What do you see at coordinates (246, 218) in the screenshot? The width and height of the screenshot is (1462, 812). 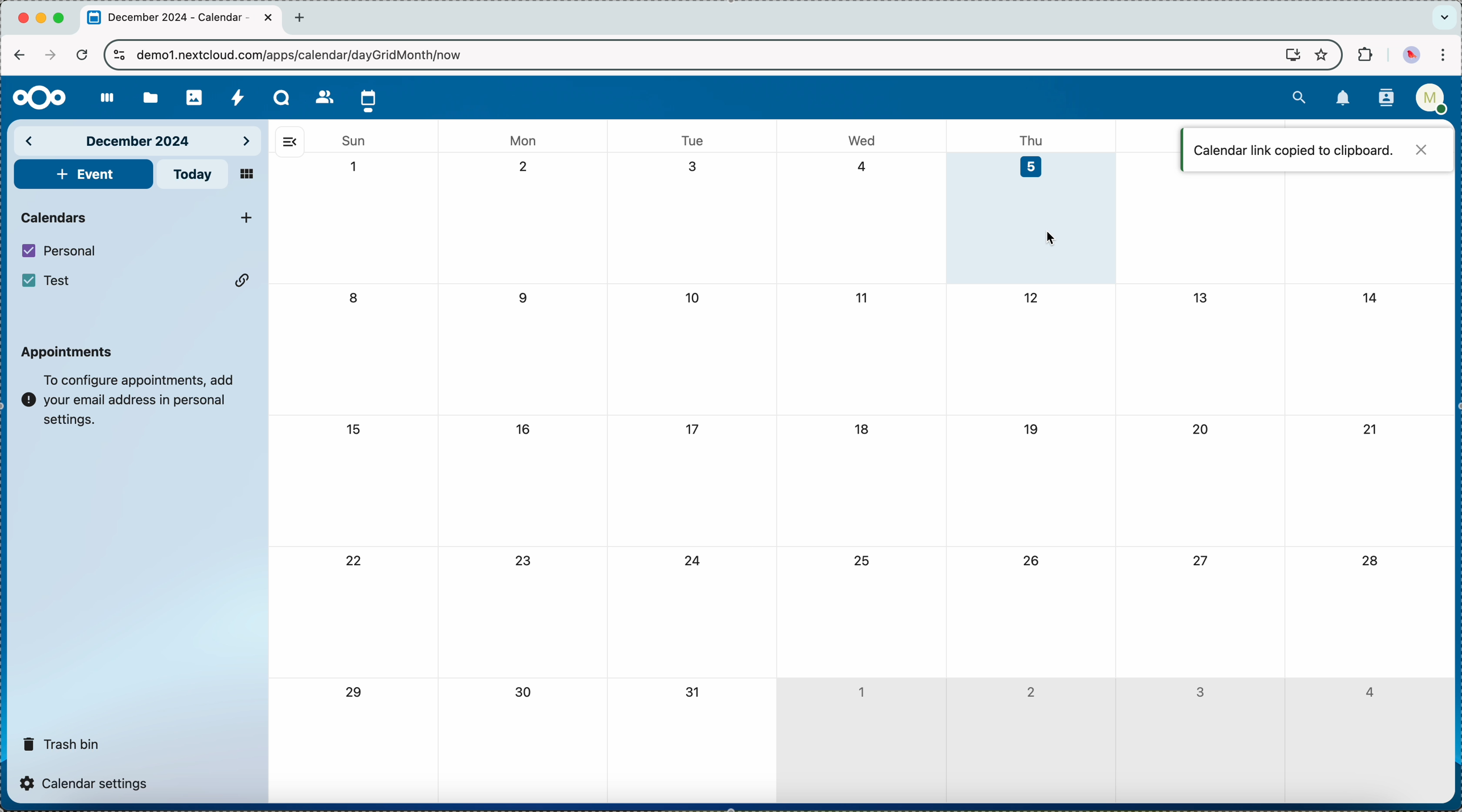 I see `click on add new calendar` at bounding box center [246, 218].